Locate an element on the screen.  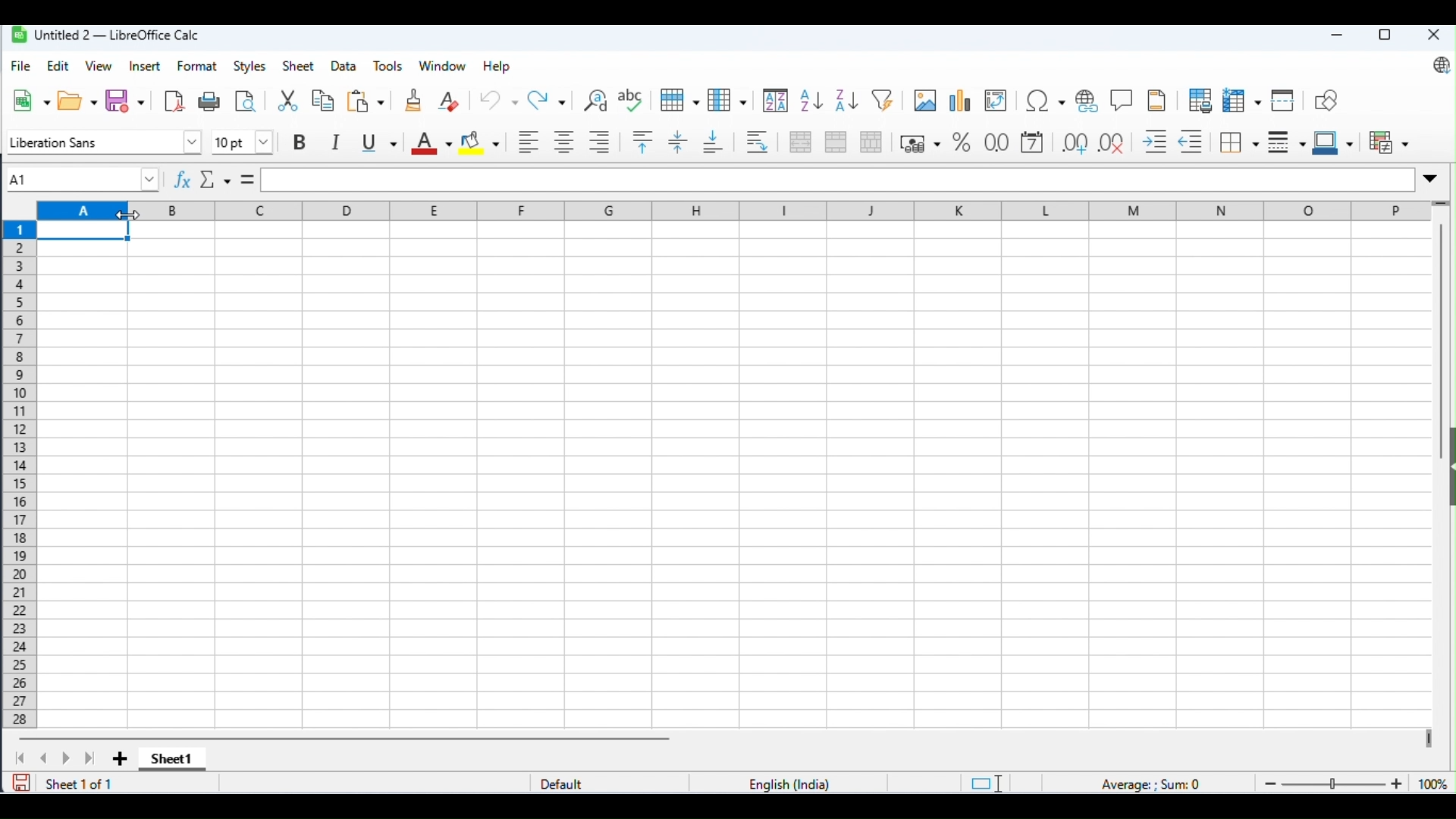
standard selection is located at coordinates (986, 783).